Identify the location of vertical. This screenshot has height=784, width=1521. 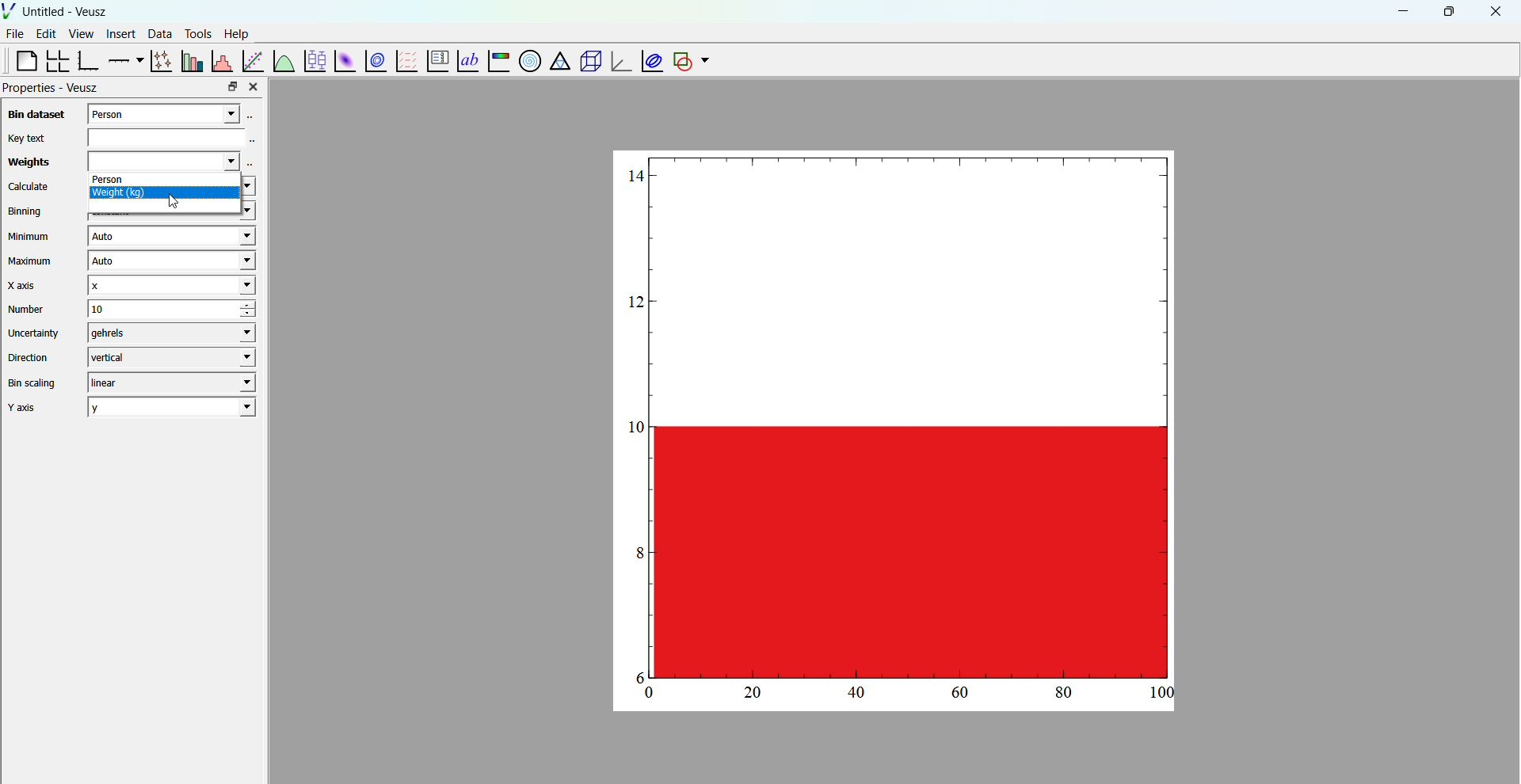
(170, 356).